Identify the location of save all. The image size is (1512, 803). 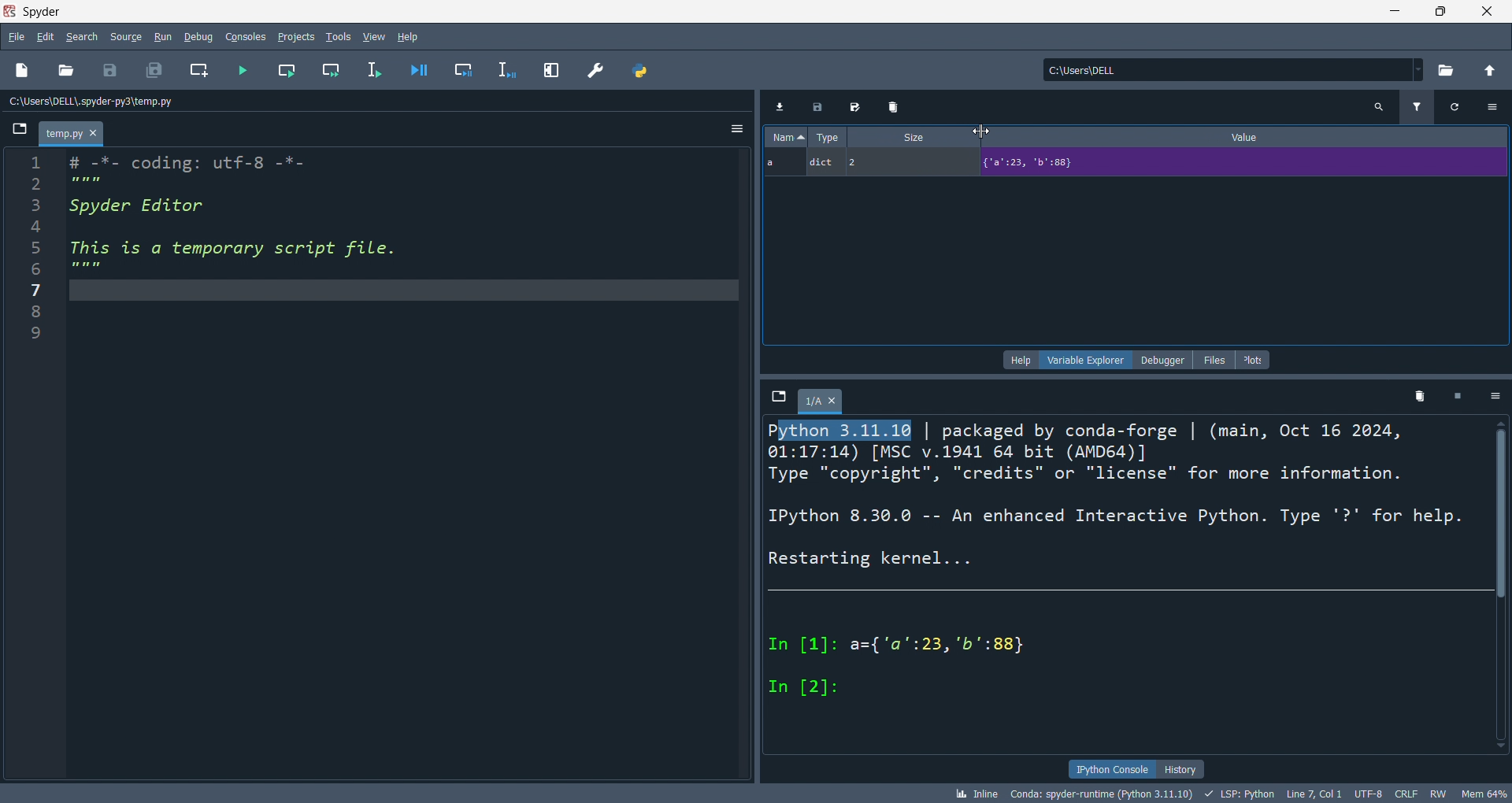
(154, 67).